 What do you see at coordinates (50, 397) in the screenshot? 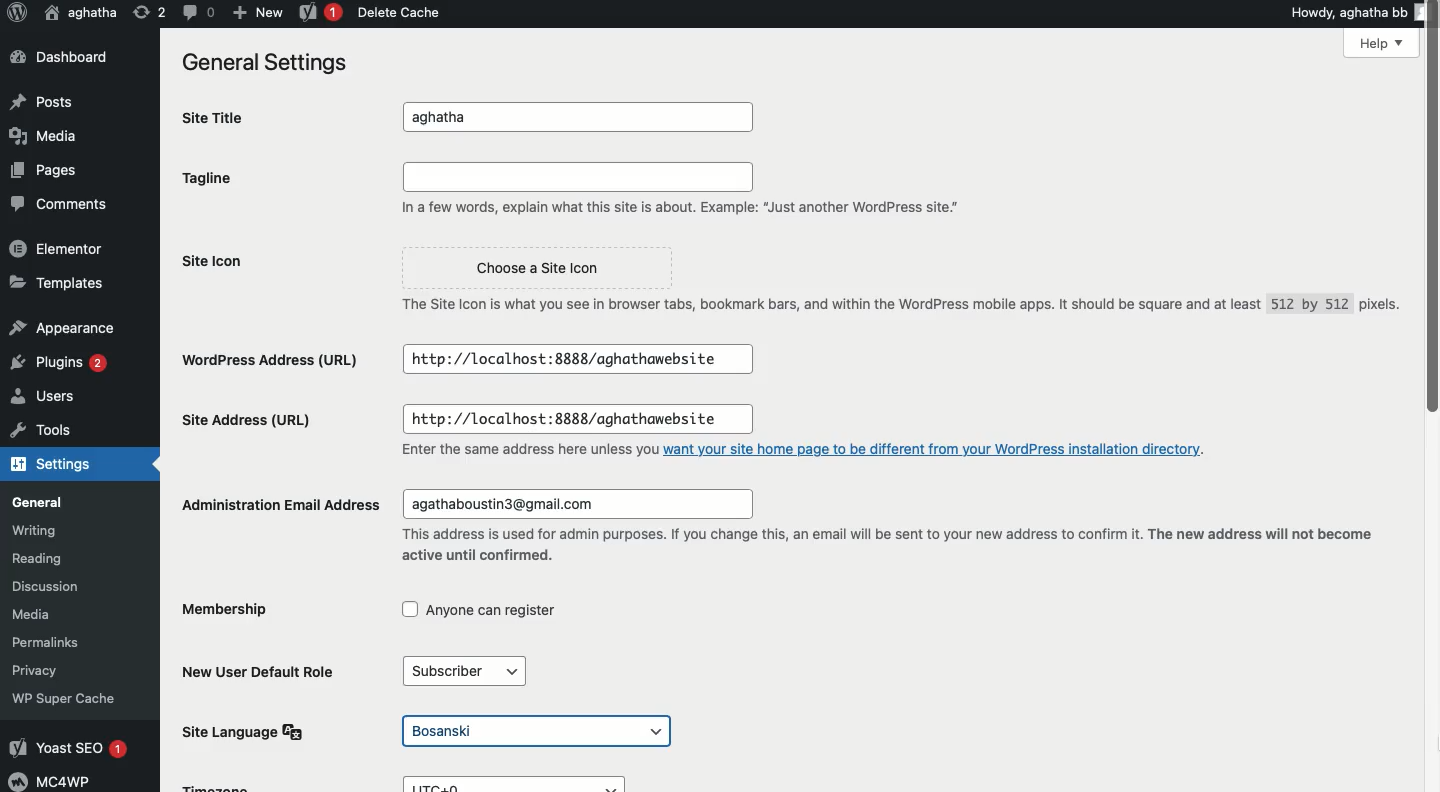
I see `Users` at bounding box center [50, 397].